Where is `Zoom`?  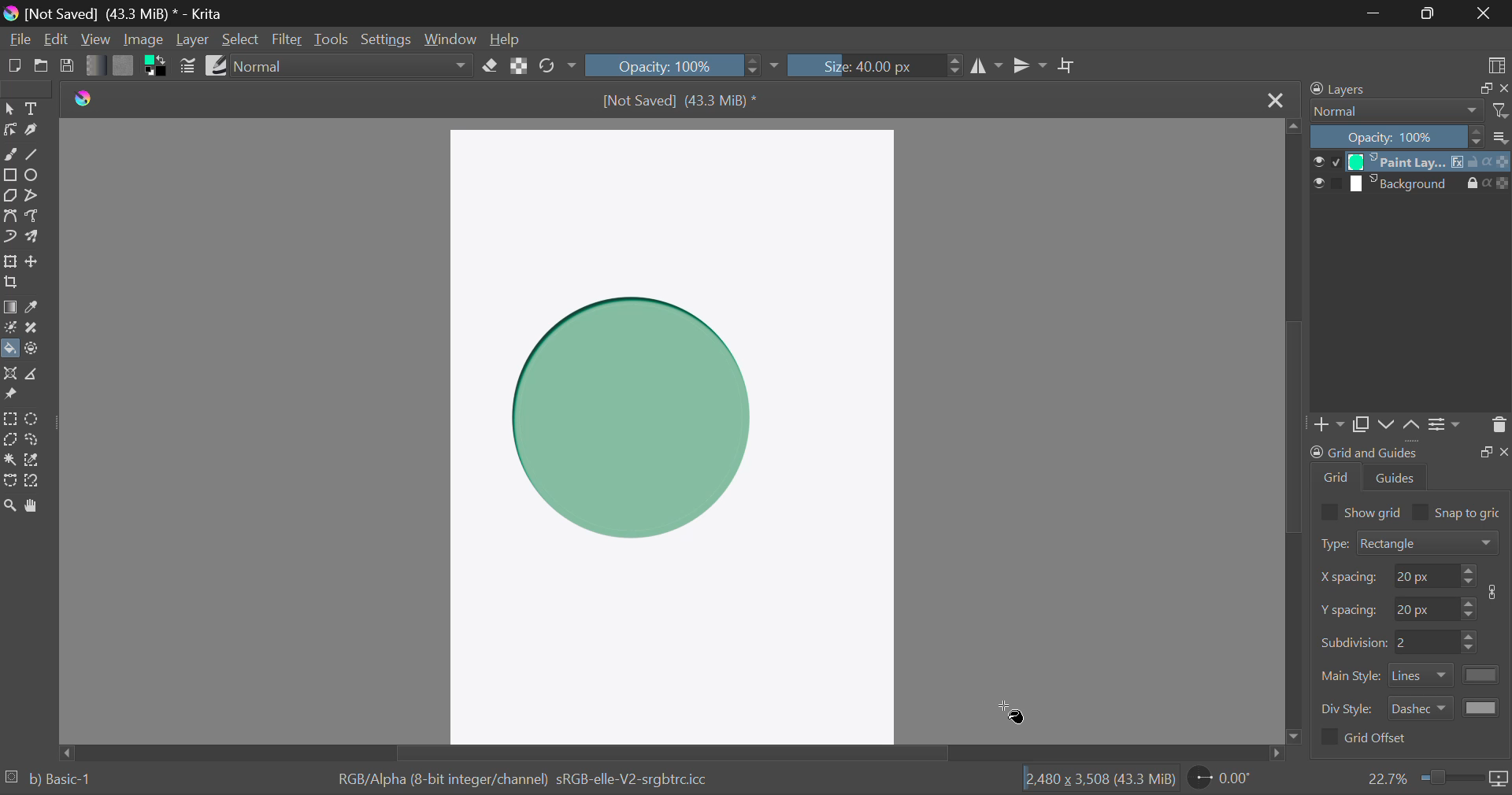 Zoom is located at coordinates (10, 505).